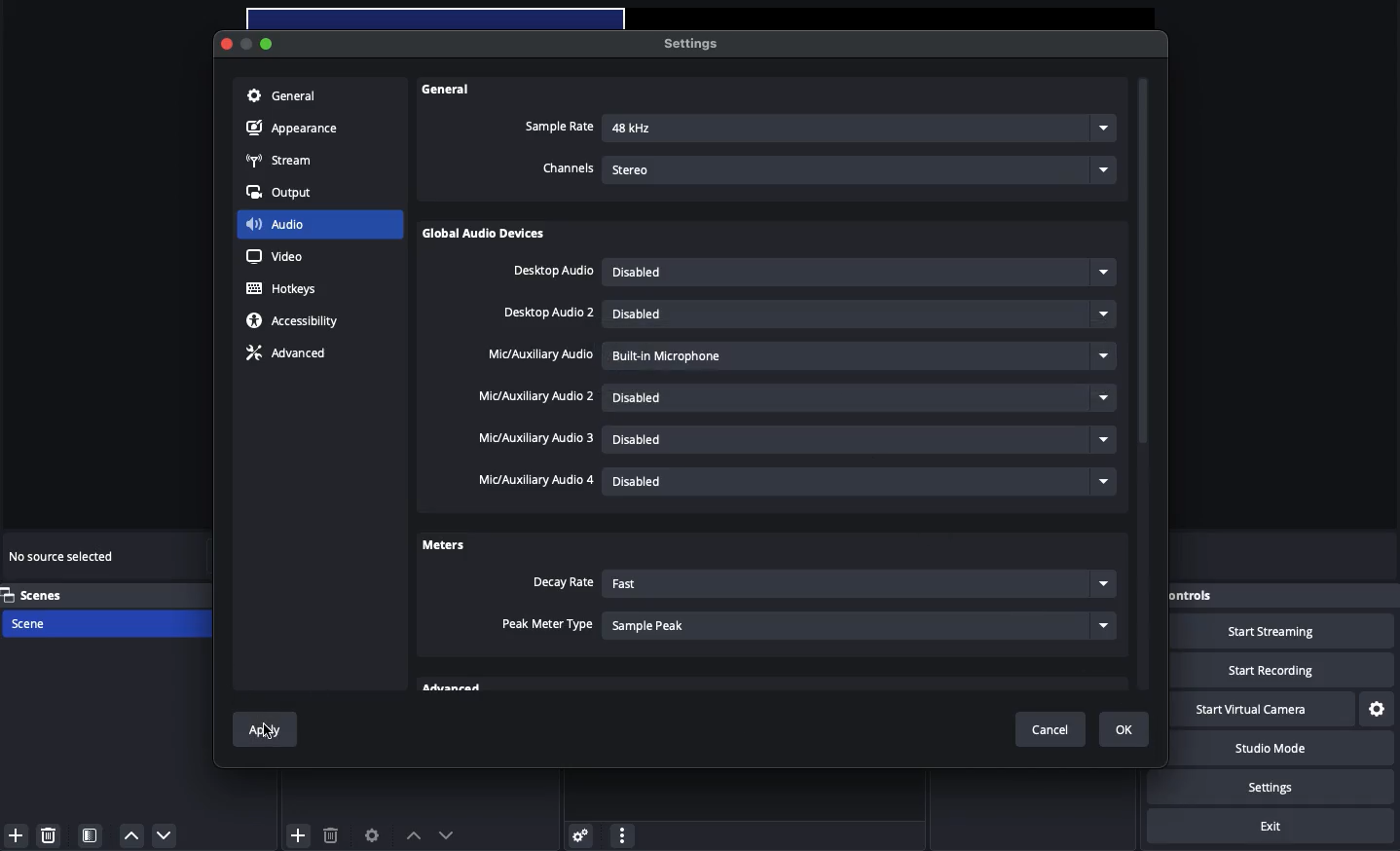  I want to click on Add, so click(16, 835).